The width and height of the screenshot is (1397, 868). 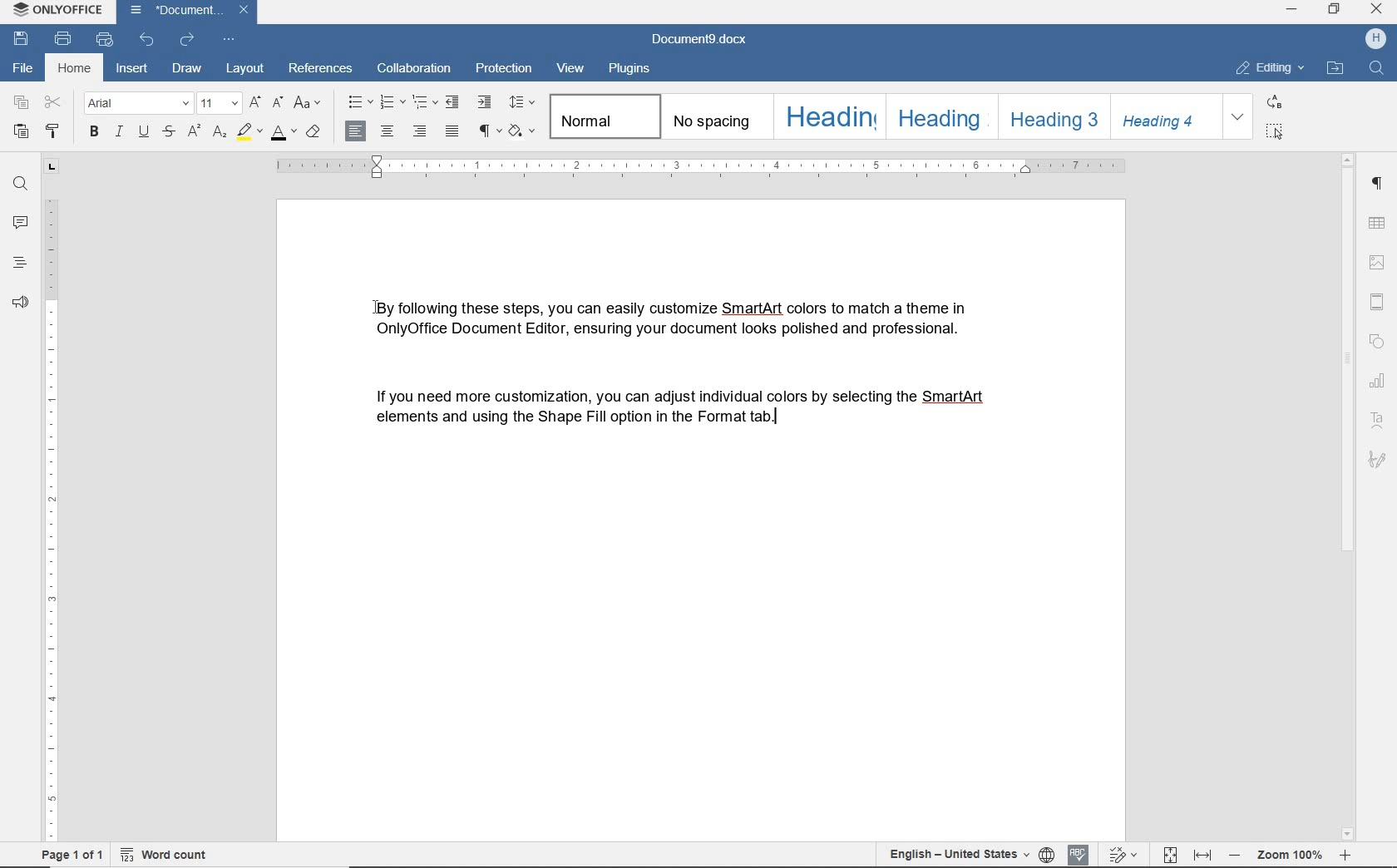 I want to click on expand , so click(x=1238, y=117).